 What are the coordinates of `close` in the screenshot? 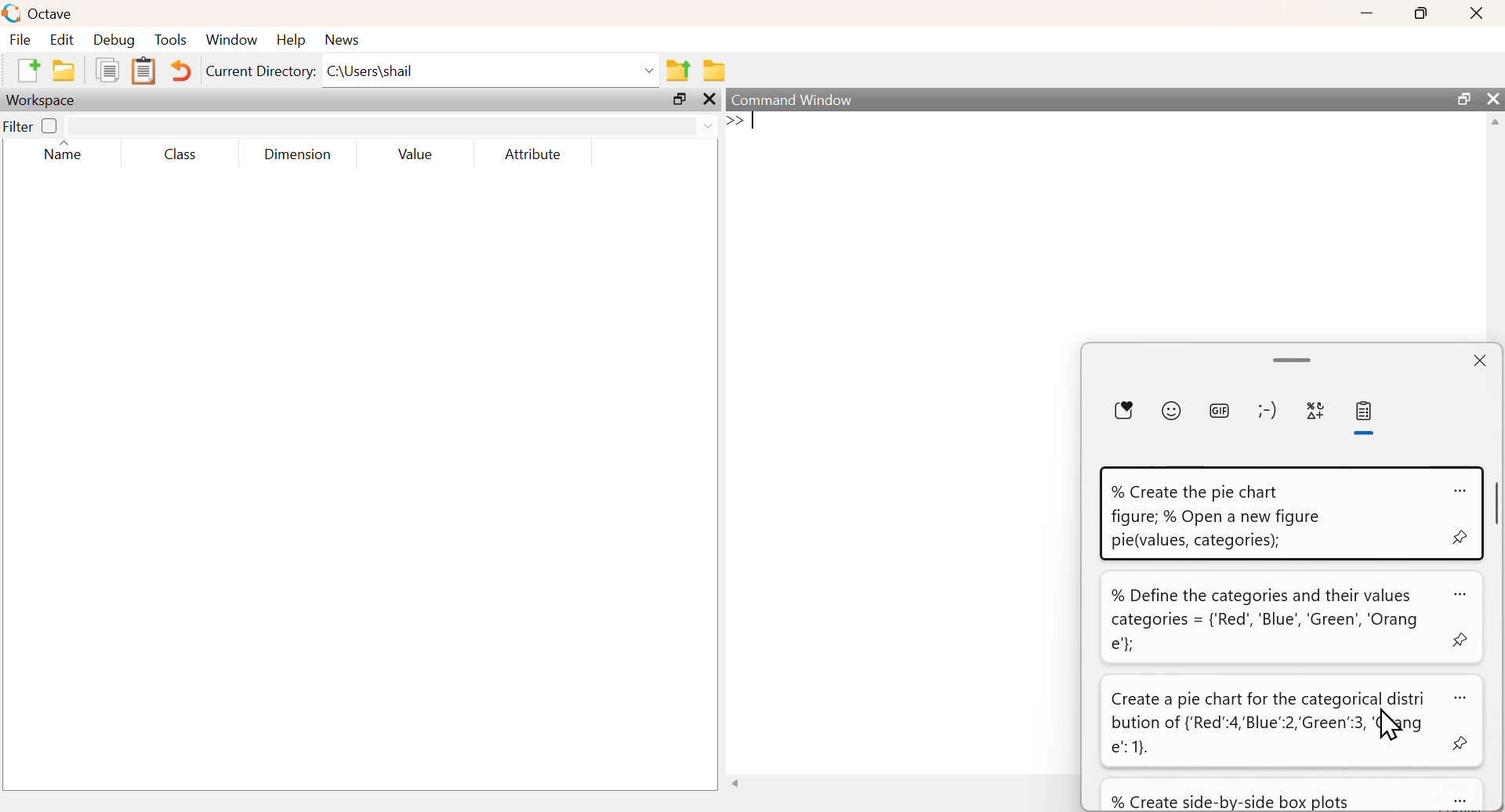 It's located at (709, 99).